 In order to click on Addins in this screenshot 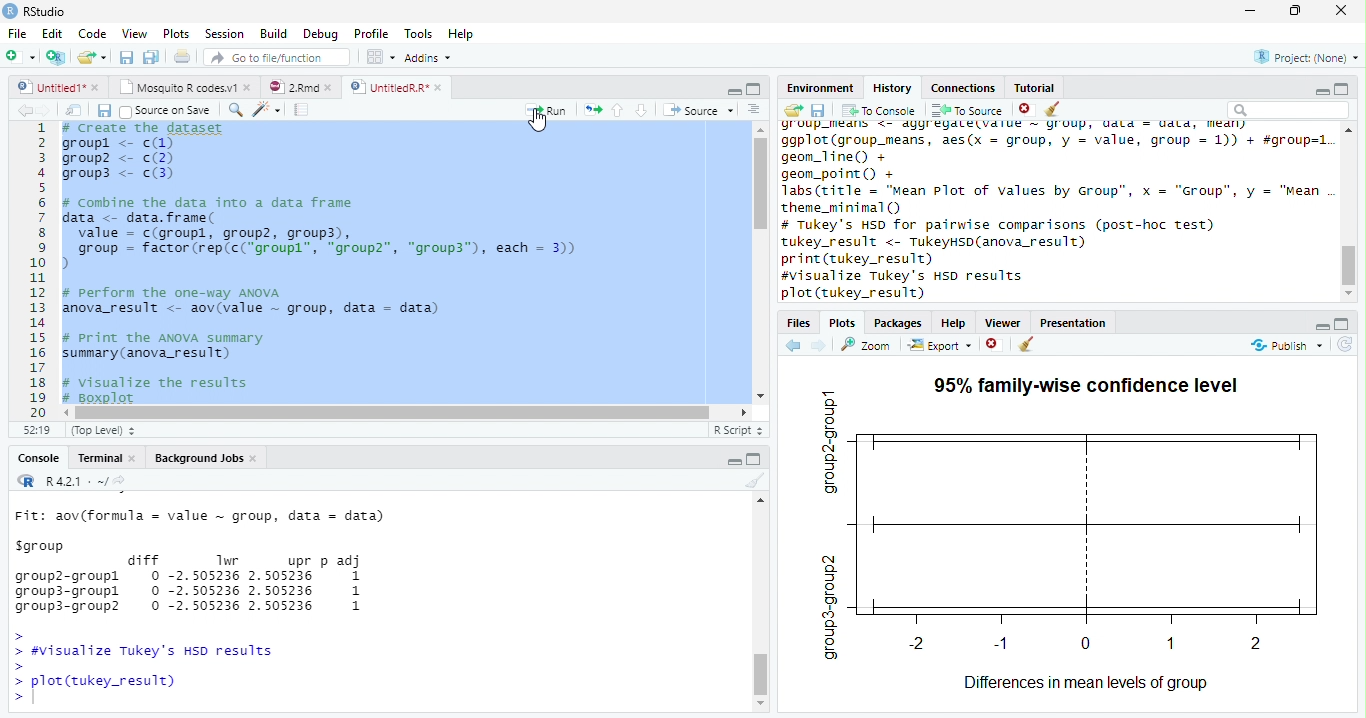, I will do `click(429, 59)`.